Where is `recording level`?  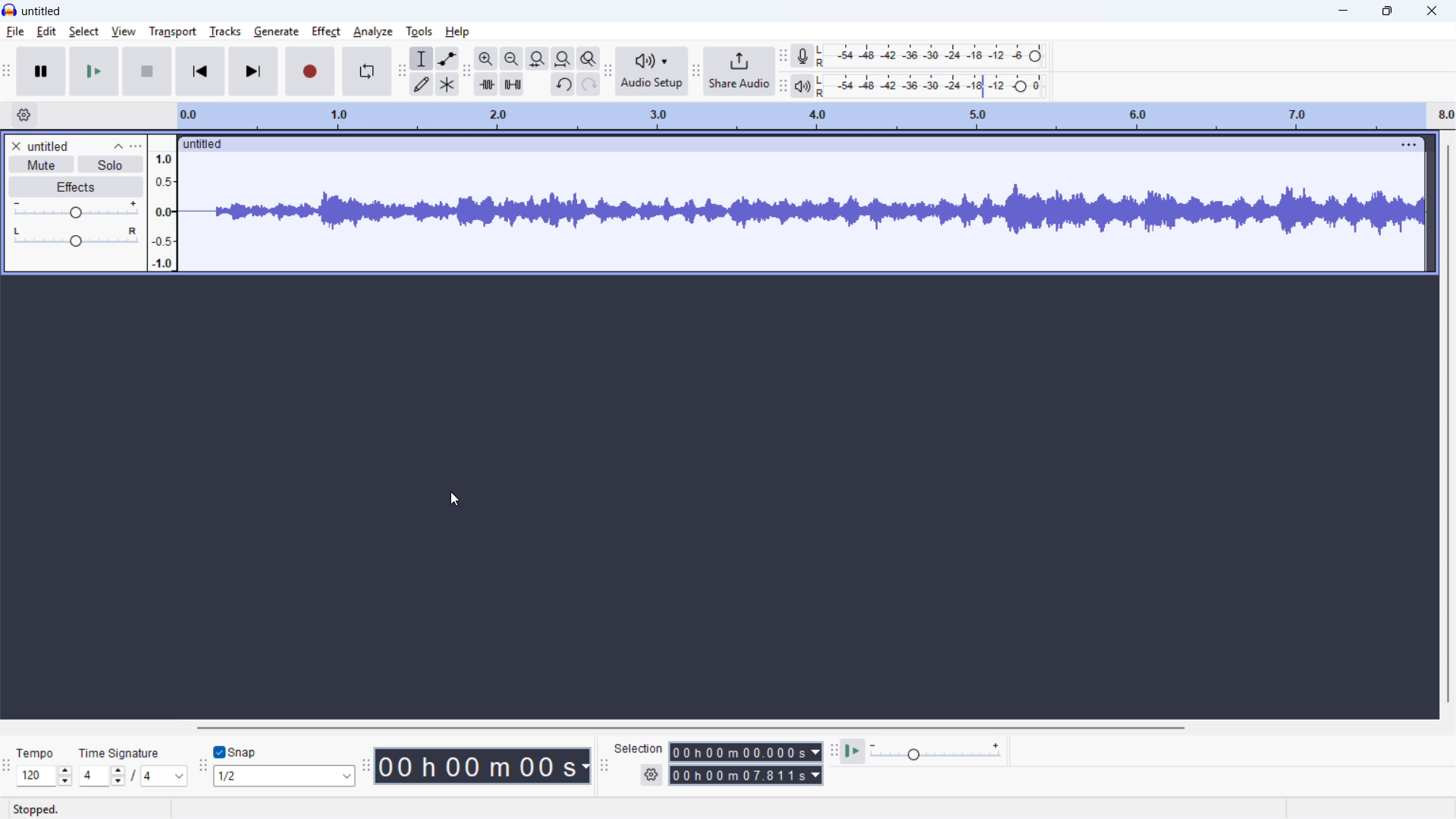 recording level is located at coordinates (936, 55).